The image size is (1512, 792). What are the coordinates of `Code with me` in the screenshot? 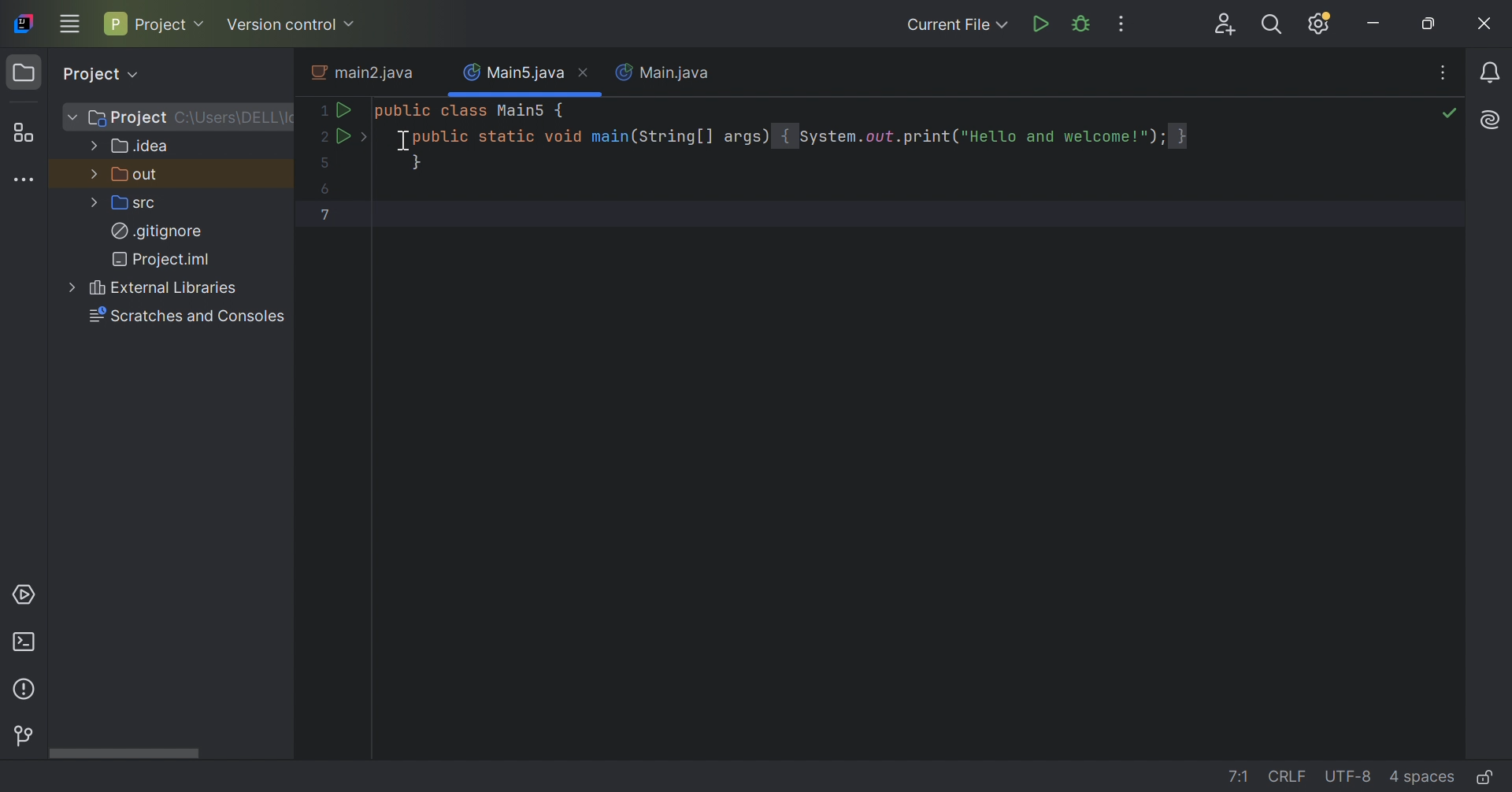 It's located at (1225, 24).